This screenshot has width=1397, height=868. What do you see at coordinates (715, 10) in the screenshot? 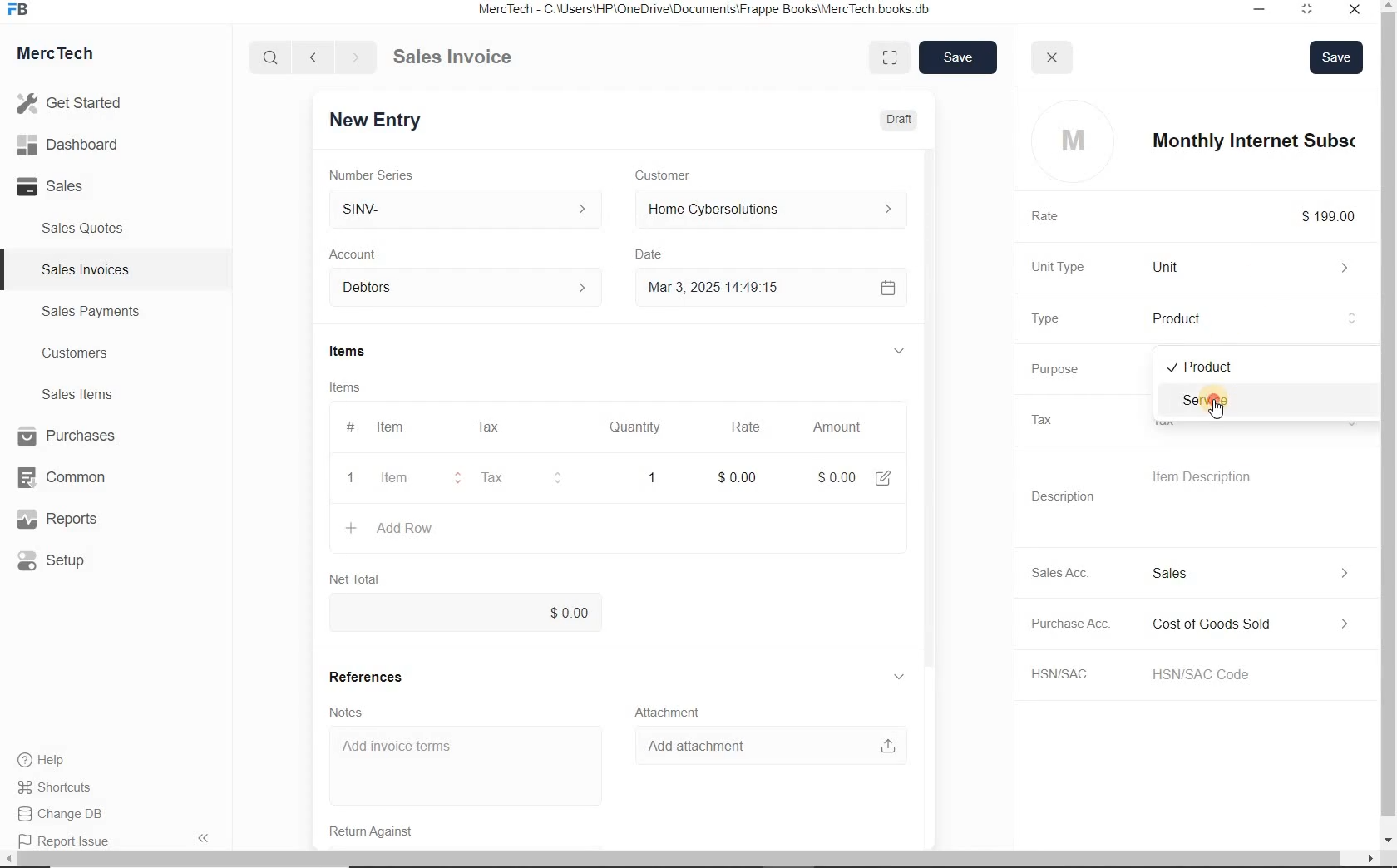
I see `MercTech - C:\Users\HP\OneDrive\Documents\Frappe Books\MercTech books db` at bounding box center [715, 10].